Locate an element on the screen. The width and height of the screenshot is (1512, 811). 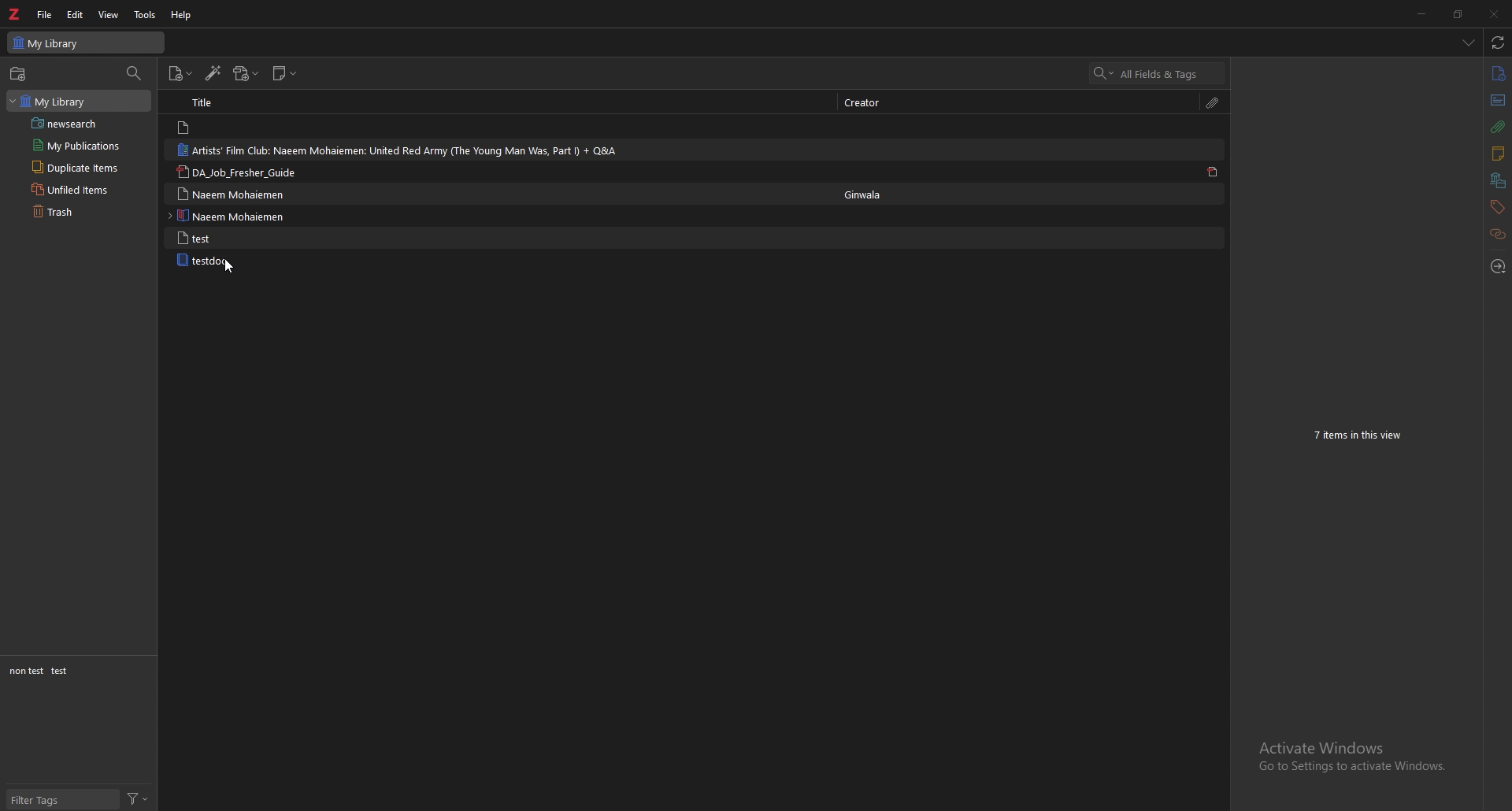
abstract is located at coordinates (1496, 102).